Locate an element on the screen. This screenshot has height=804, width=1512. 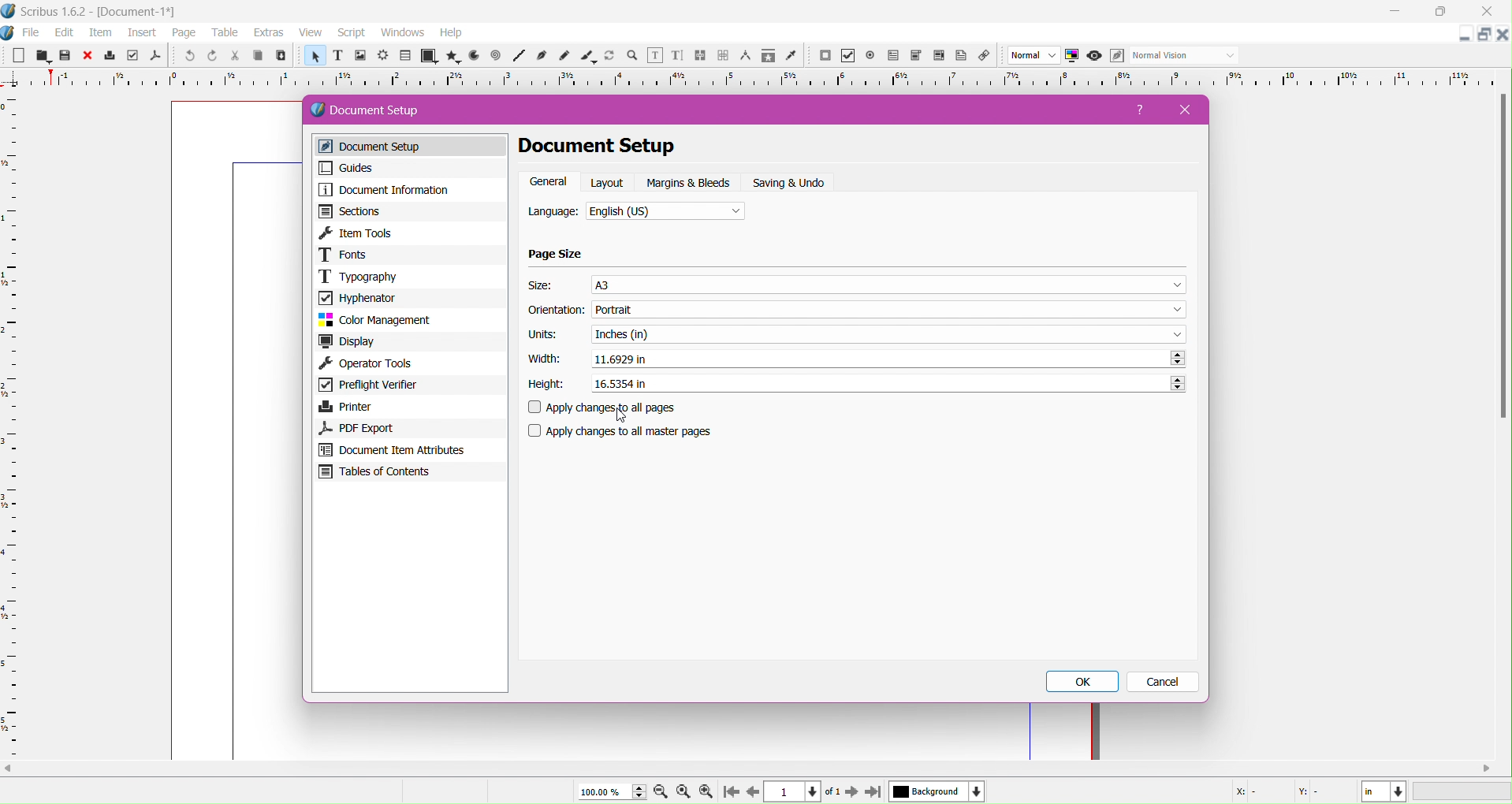
bezier curve is located at coordinates (543, 56).